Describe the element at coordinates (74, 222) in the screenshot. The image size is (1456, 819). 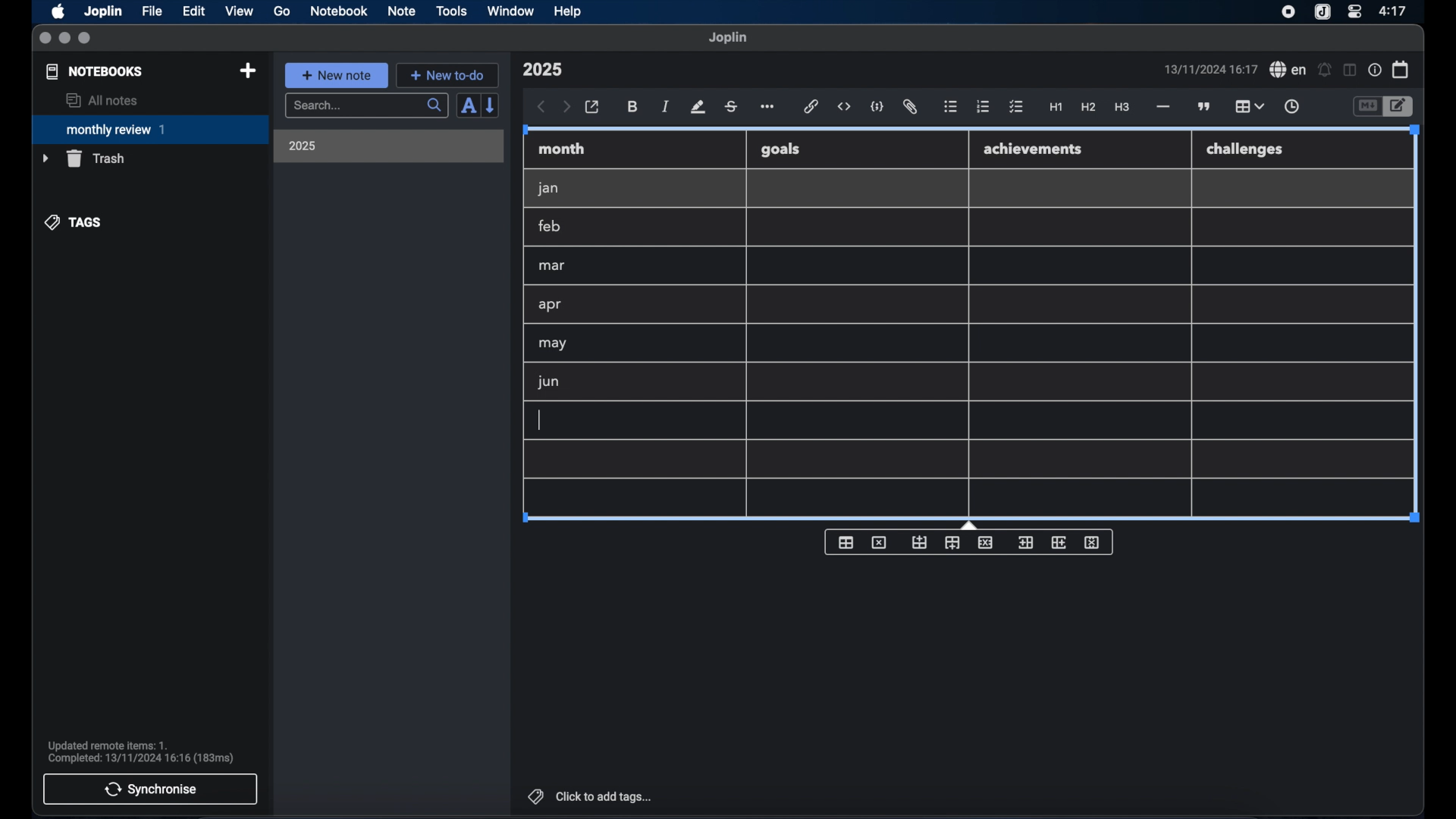
I see `tags` at that location.